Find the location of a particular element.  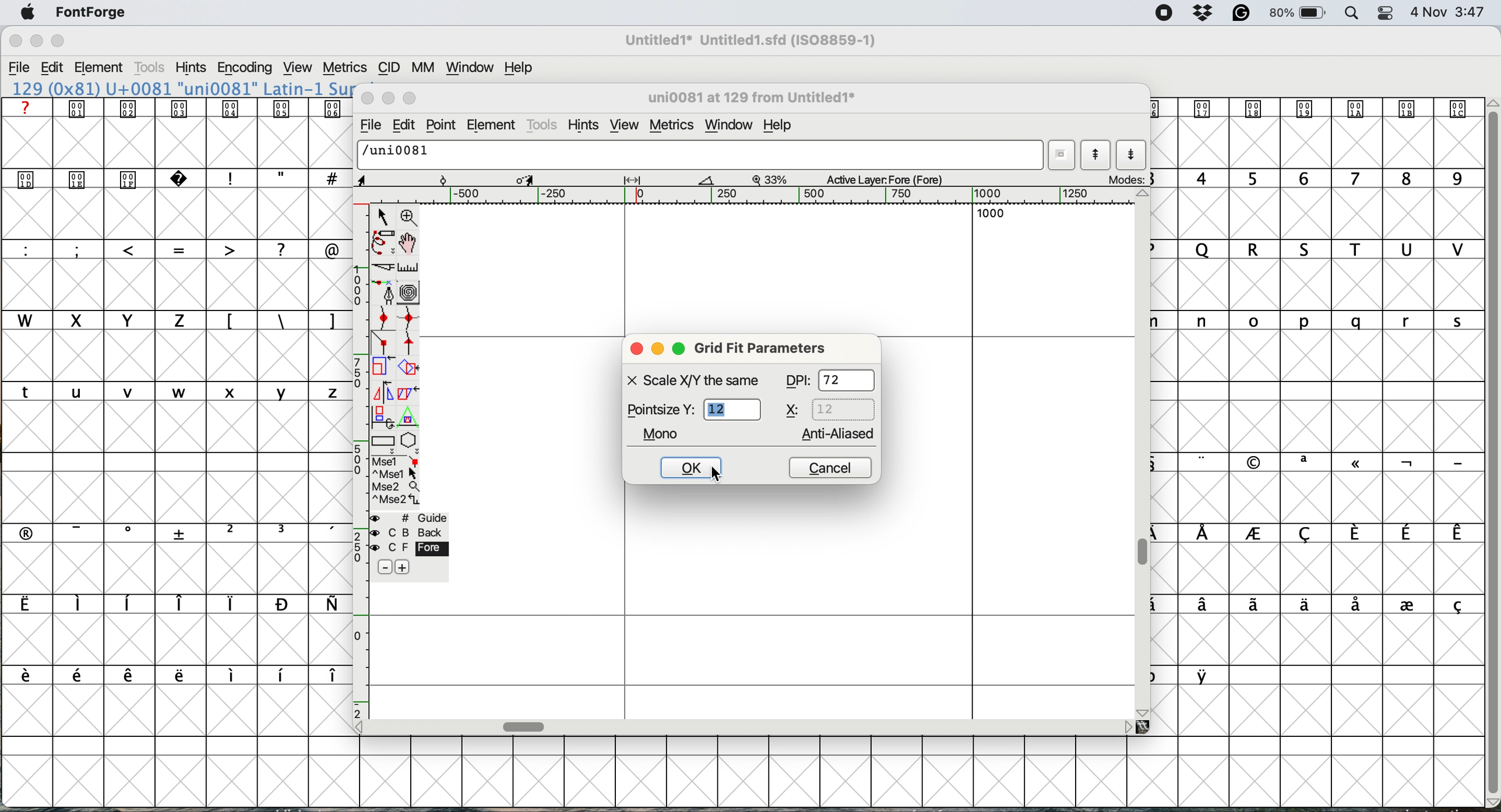

rotate the selection in 3d is located at coordinates (383, 416).